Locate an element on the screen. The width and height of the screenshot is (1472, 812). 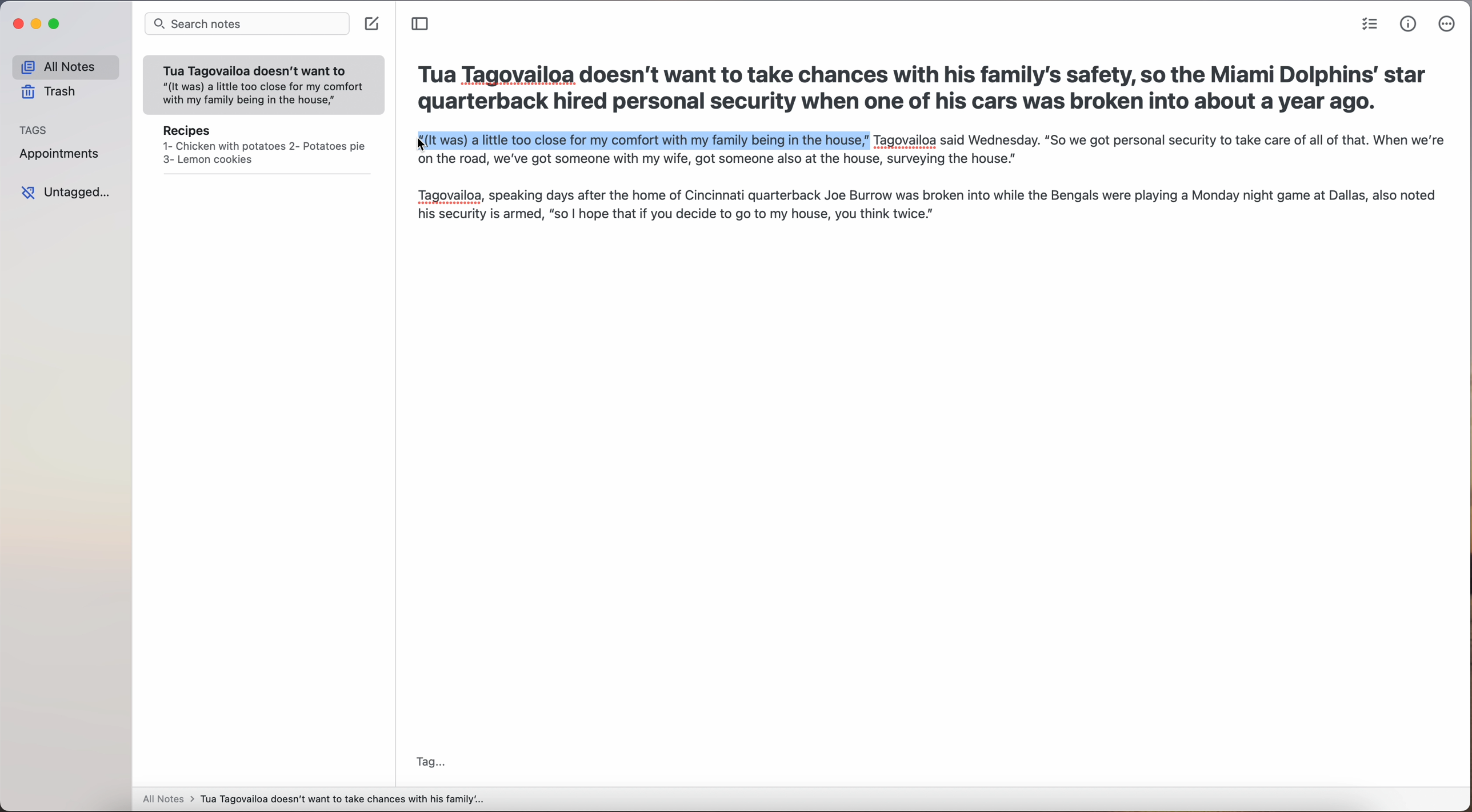
check list is located at coordinates (1370, 24).